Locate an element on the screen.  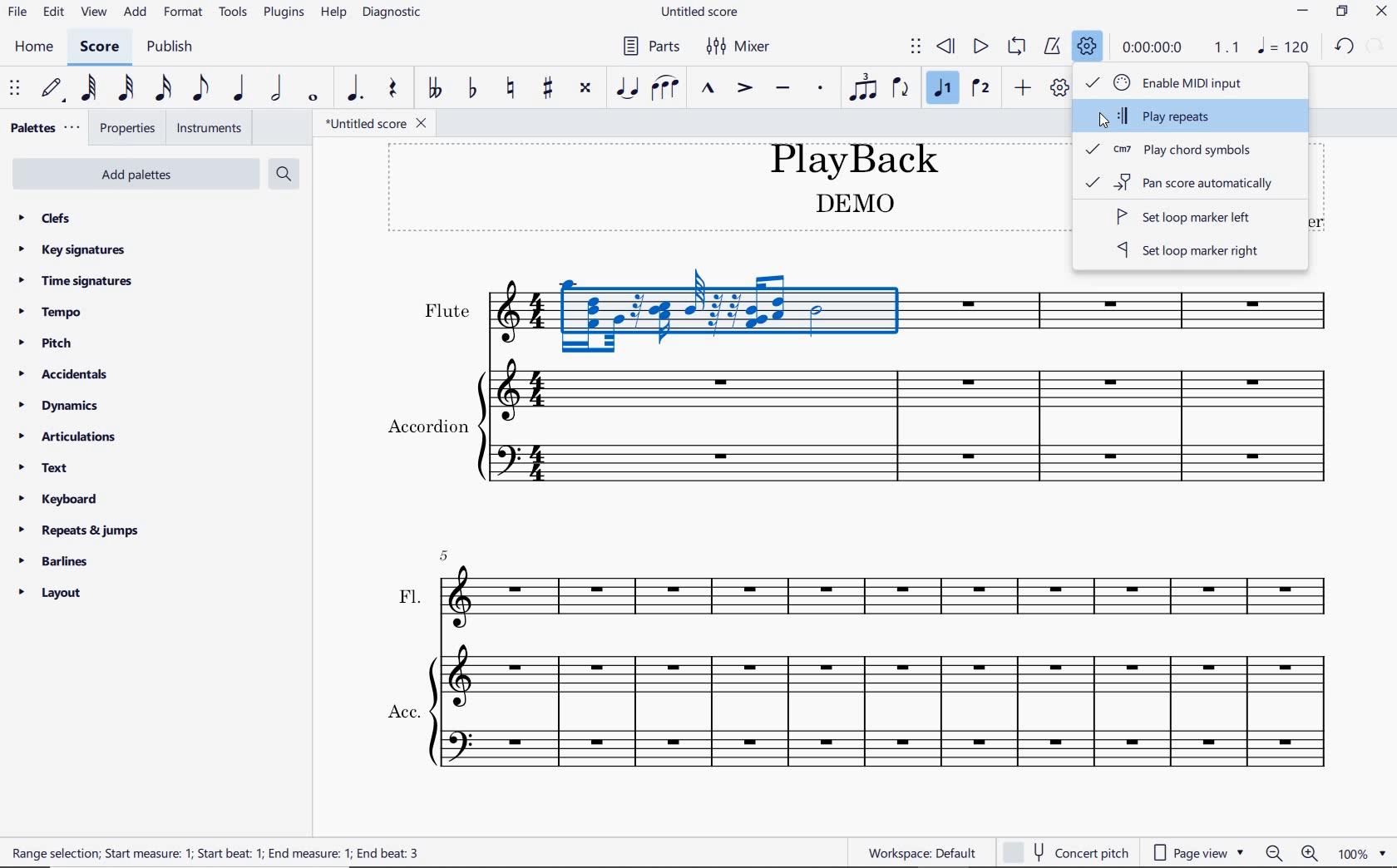
customize toolbar is located at coordinates (1059, 86).